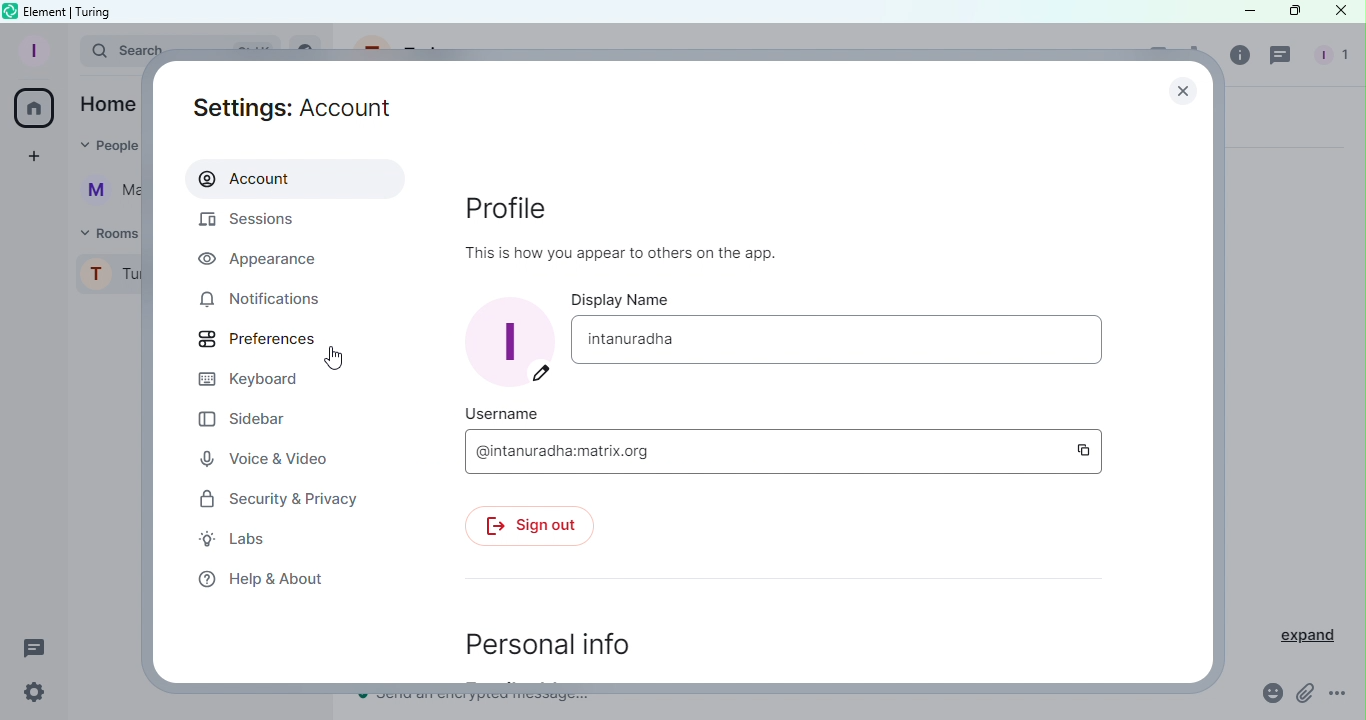 The width and height of the screenshot is (1366, 720). What do you see at coordinates (506, 412) in the screenshot?
I see `Username` at bounding box center [506, 412].